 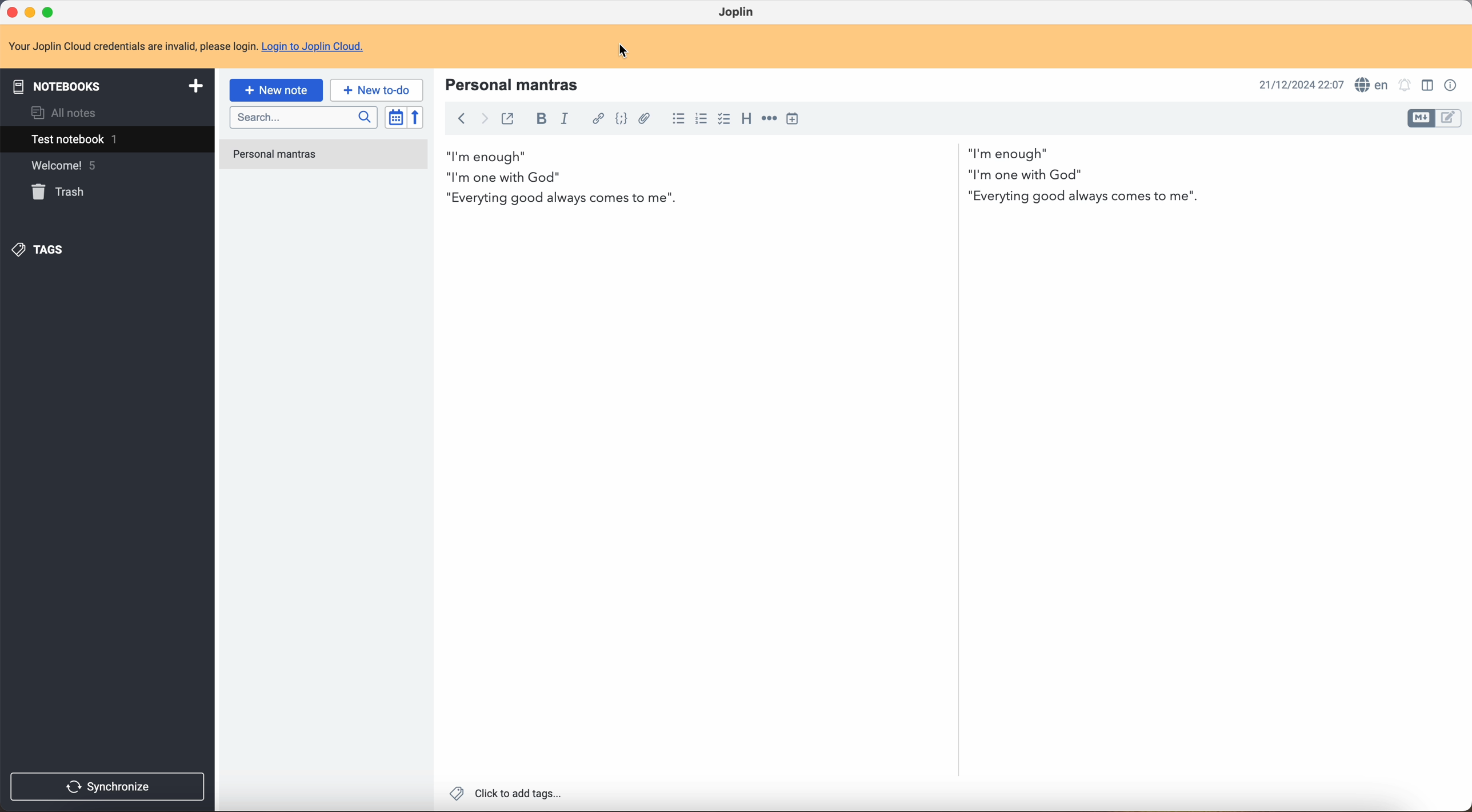 I want to click on Click to add tags, so click(x=512, y=794).